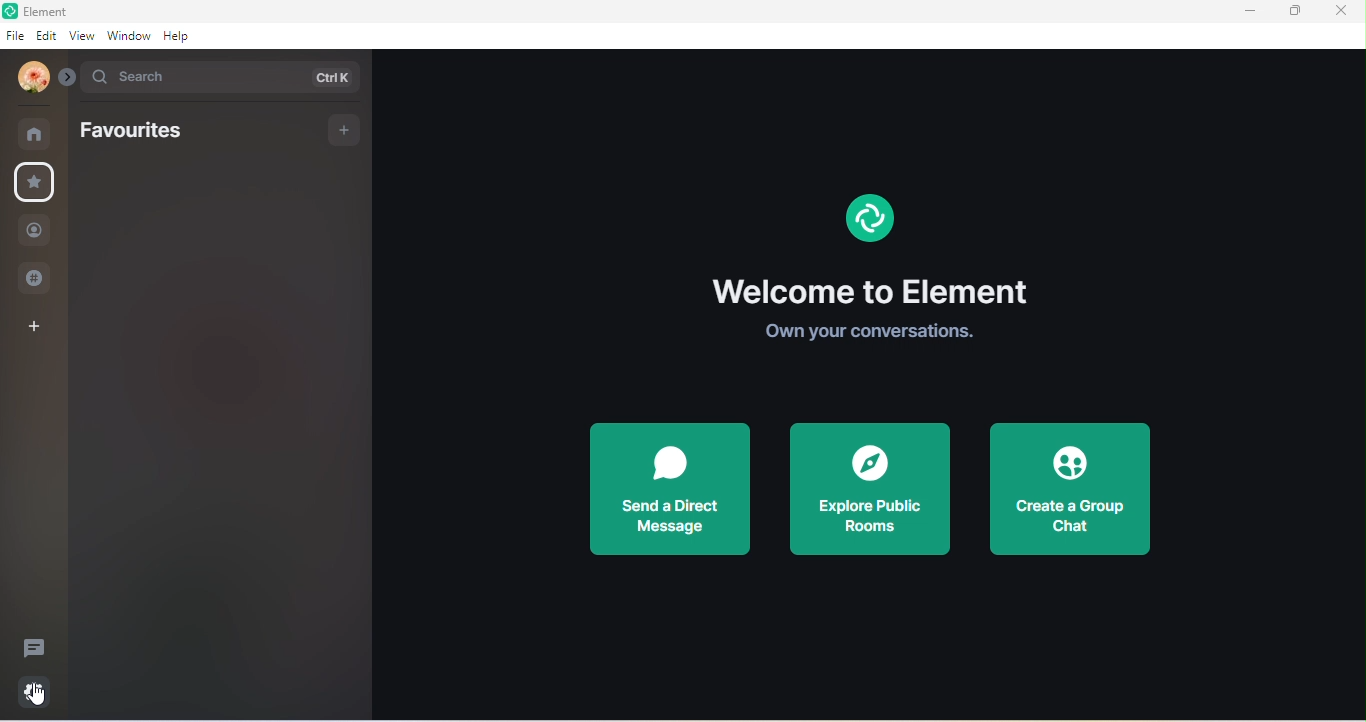 The width and height of the screenshot is (1366, 722). I want to click on cursor, so click(41, 703).